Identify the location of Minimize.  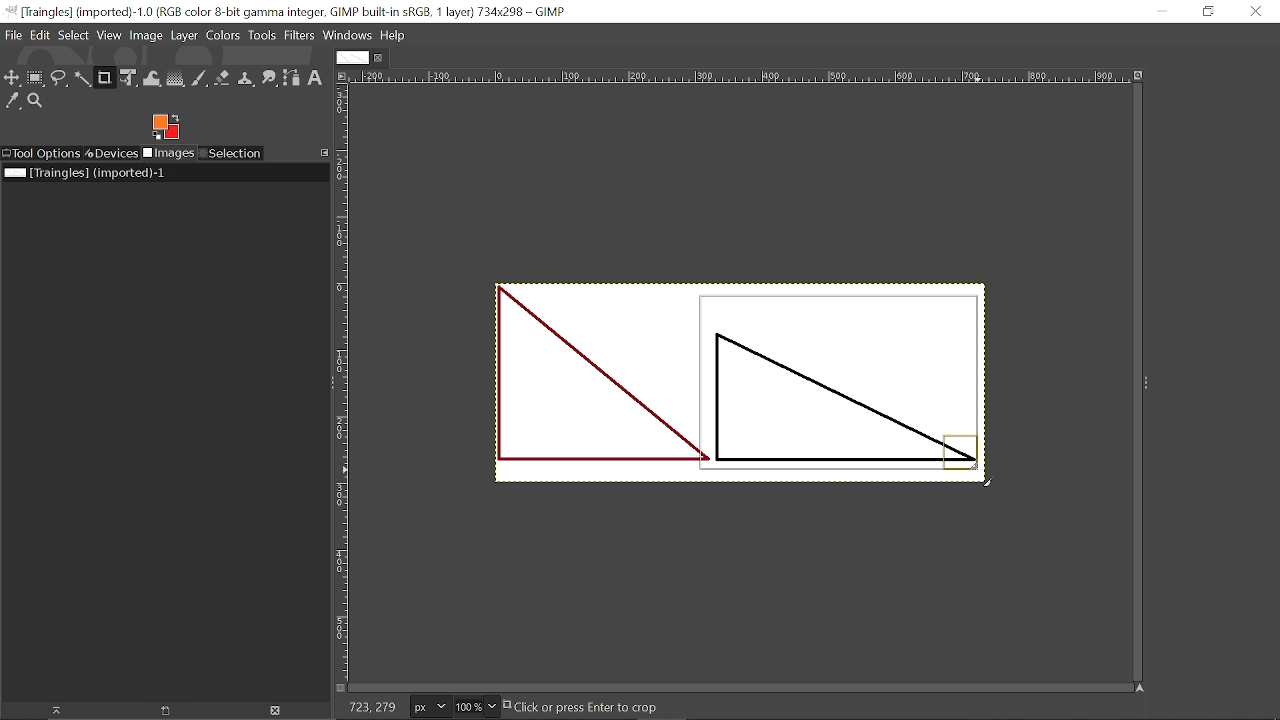
(1170, 11).